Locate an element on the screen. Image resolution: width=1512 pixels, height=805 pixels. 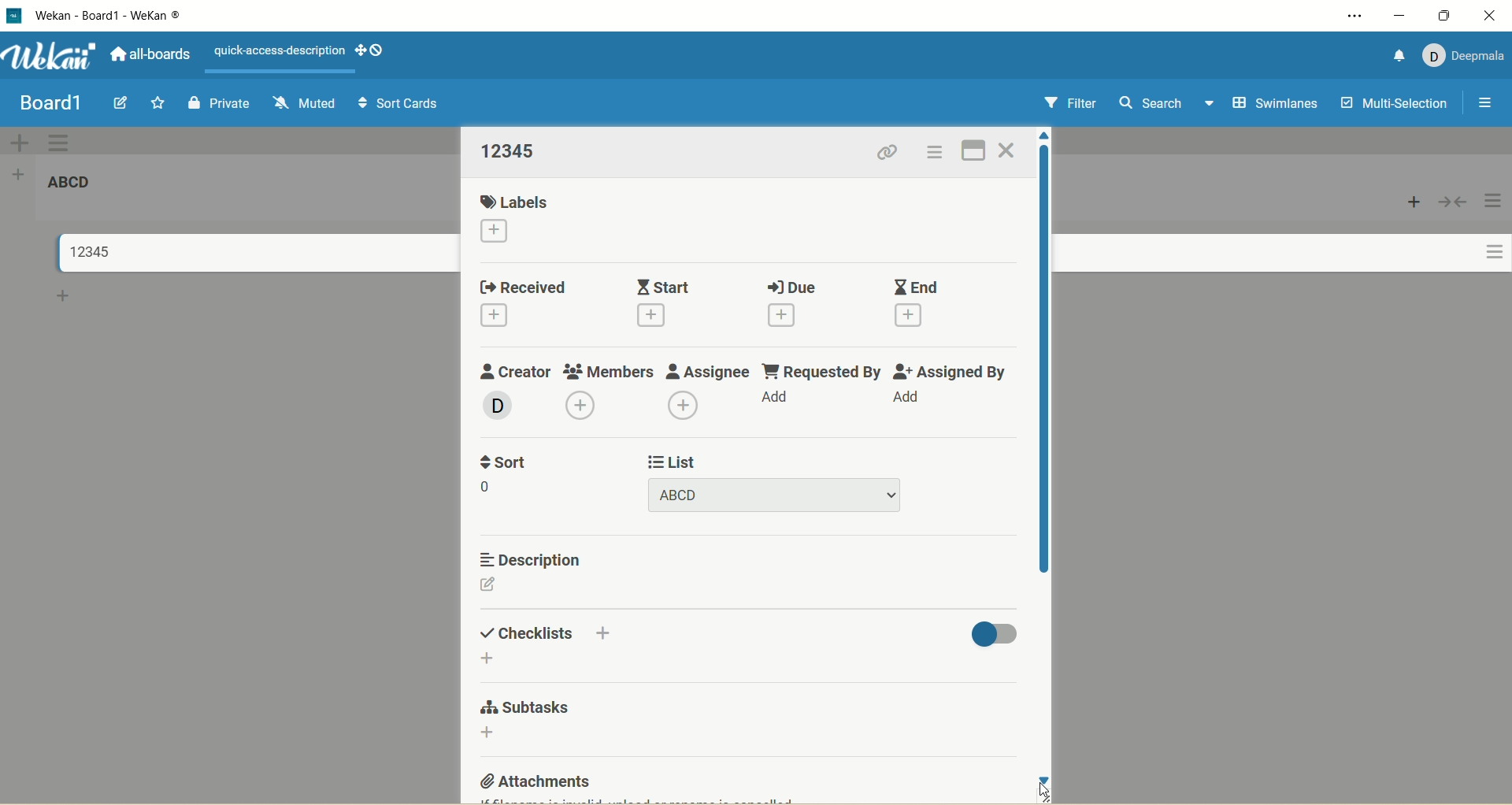
muted is located at coordinates (301, 101).